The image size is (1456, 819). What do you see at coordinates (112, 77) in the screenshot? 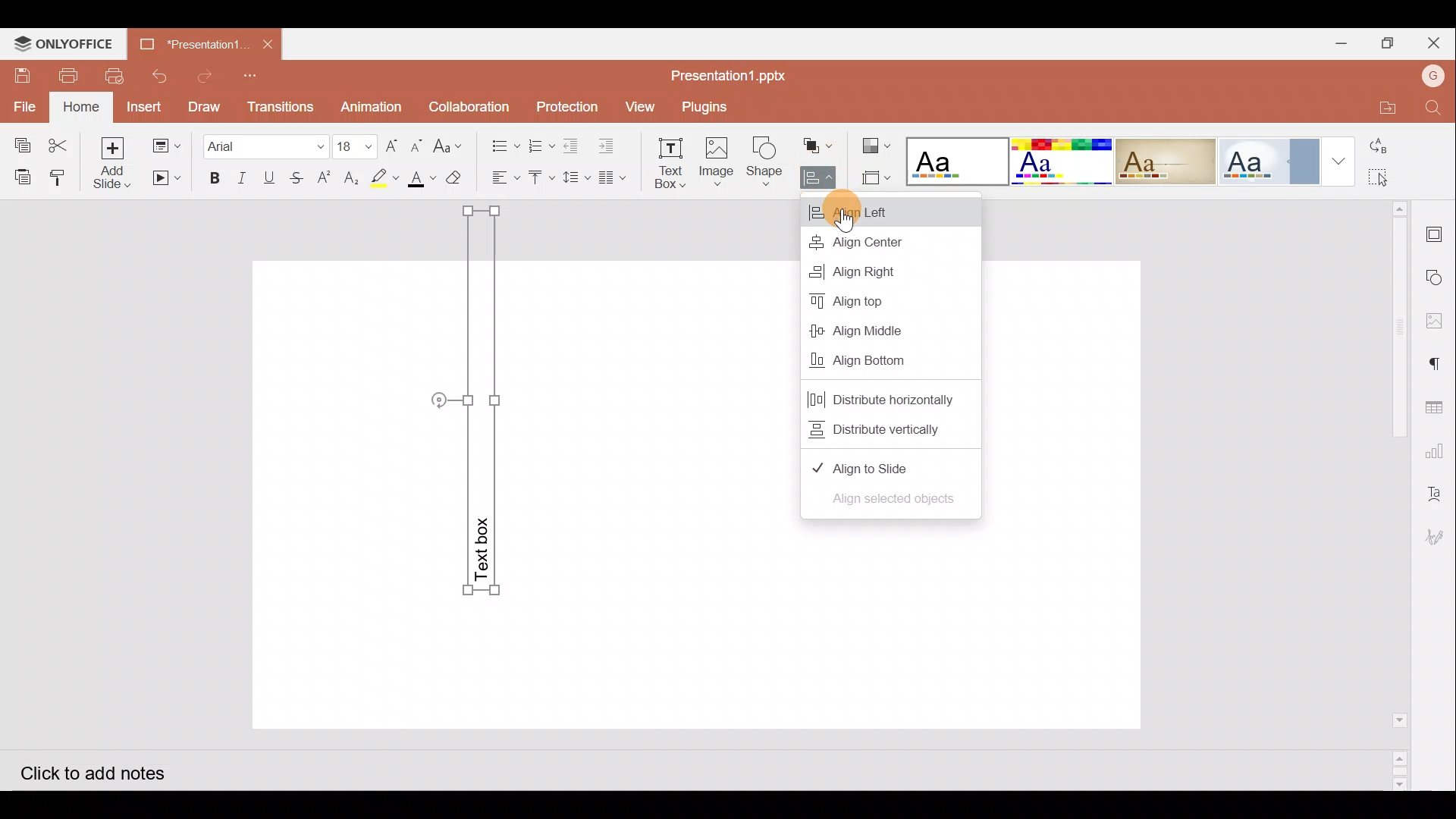
I see `Quick print` at bounding box center [112, 77].